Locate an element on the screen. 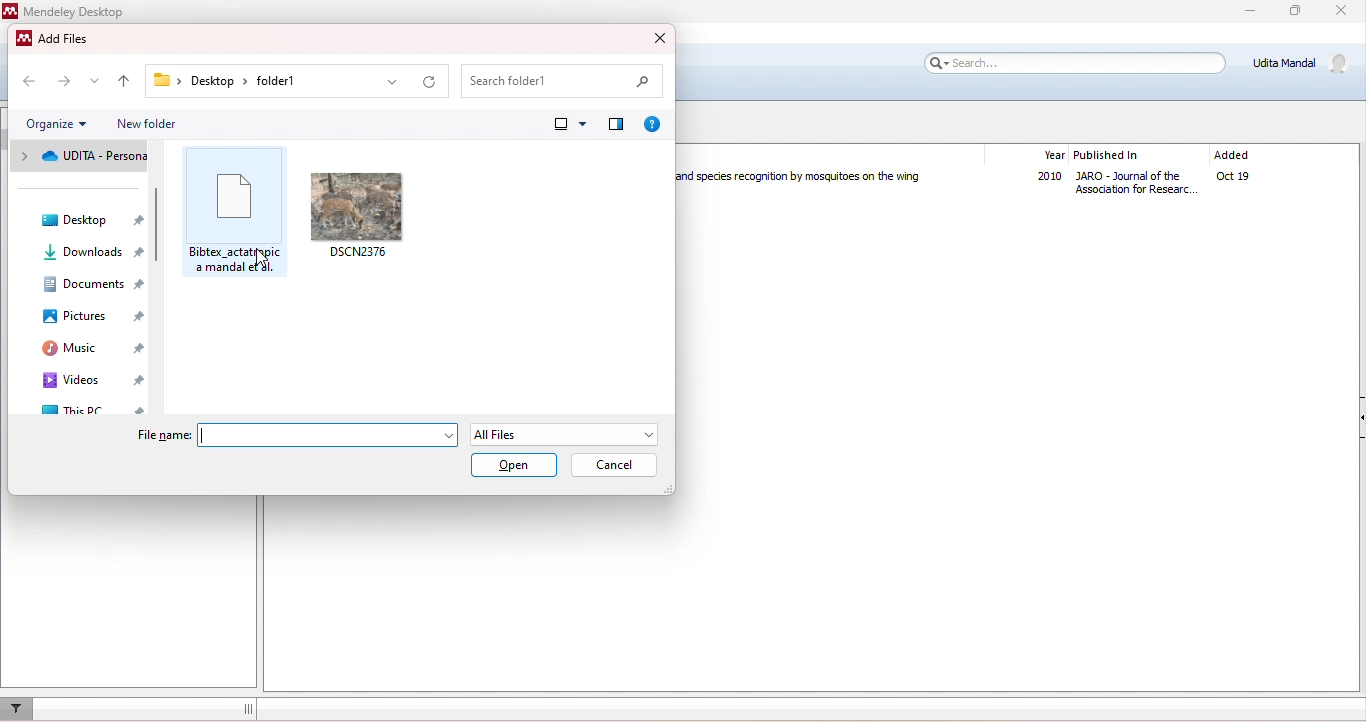  File name: is located at coordinates (164, 435).